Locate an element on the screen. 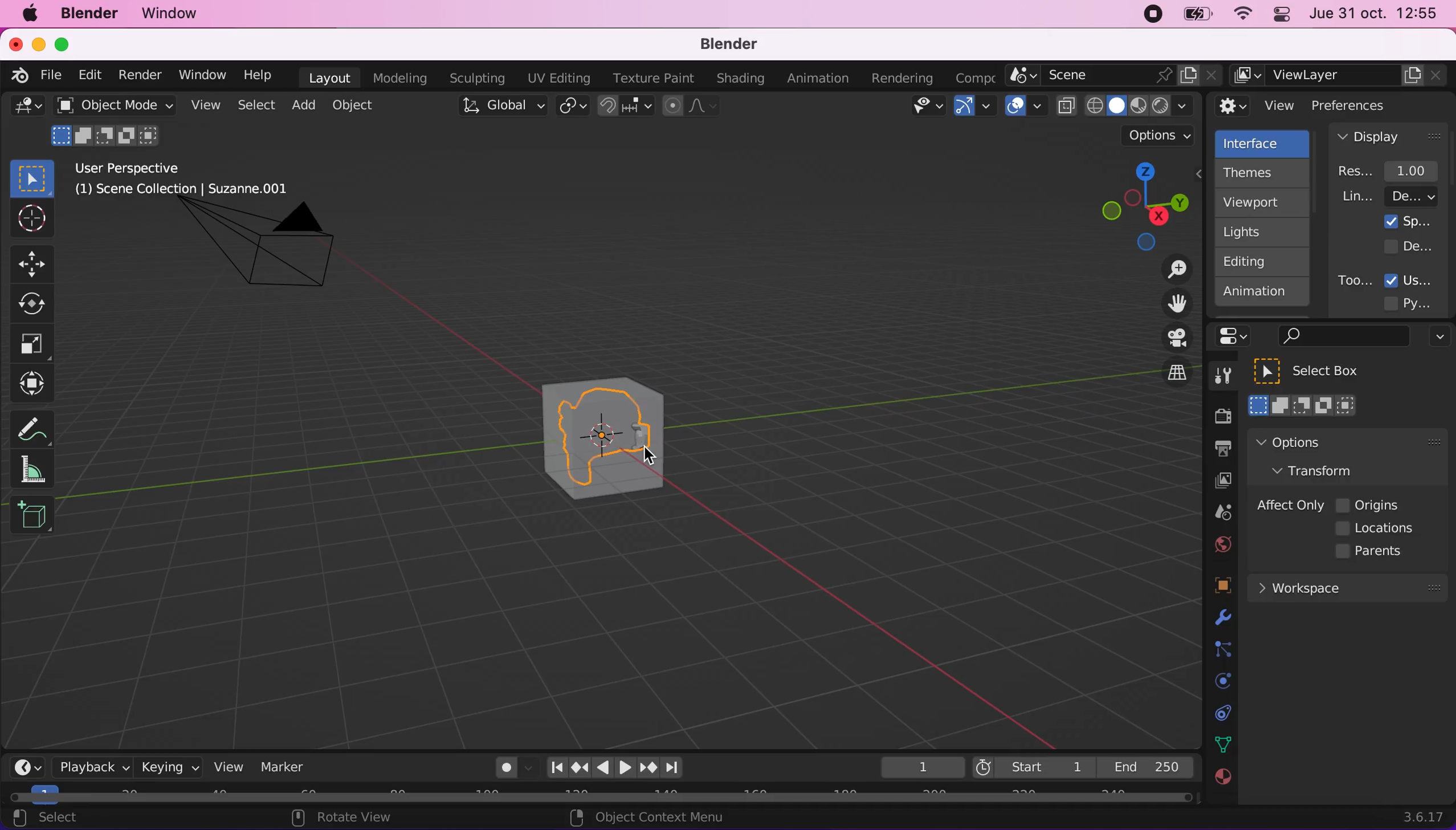 Image resolution: width=1456 pixels, height=830 pixels. locations is located at coordinates (1378, 528).